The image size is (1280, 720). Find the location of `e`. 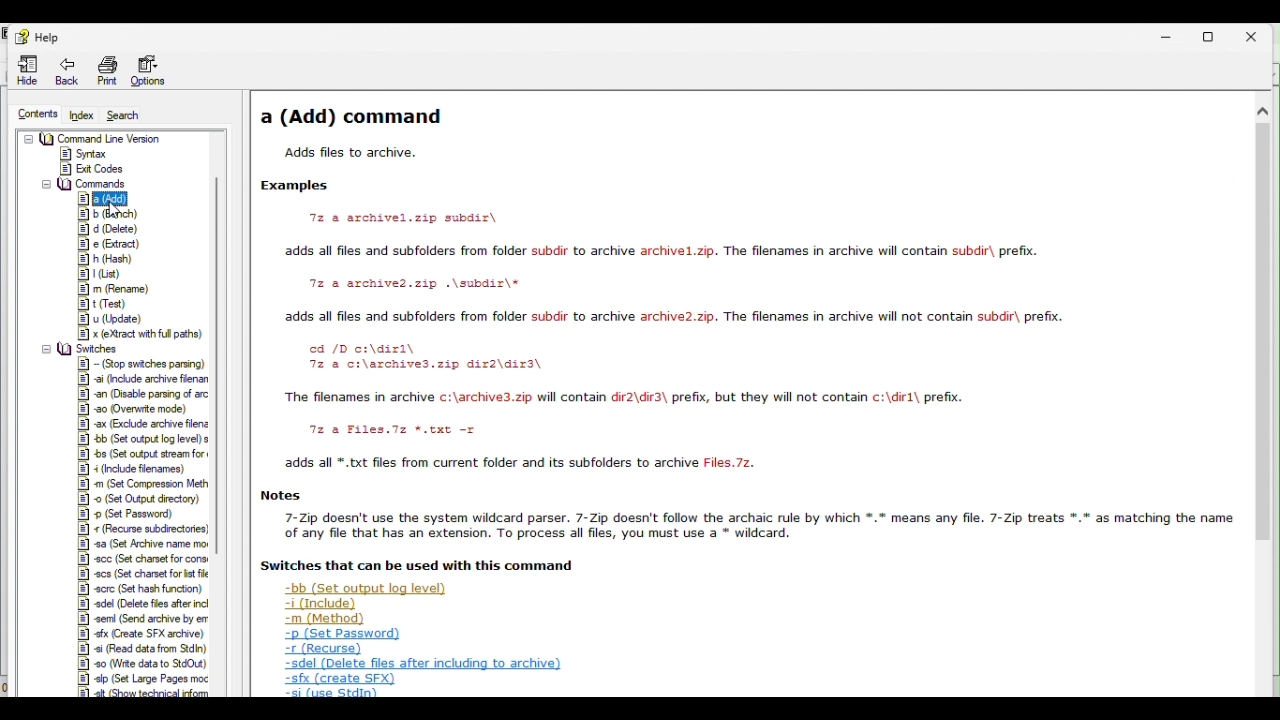

e is located at coordinates (108, 244).